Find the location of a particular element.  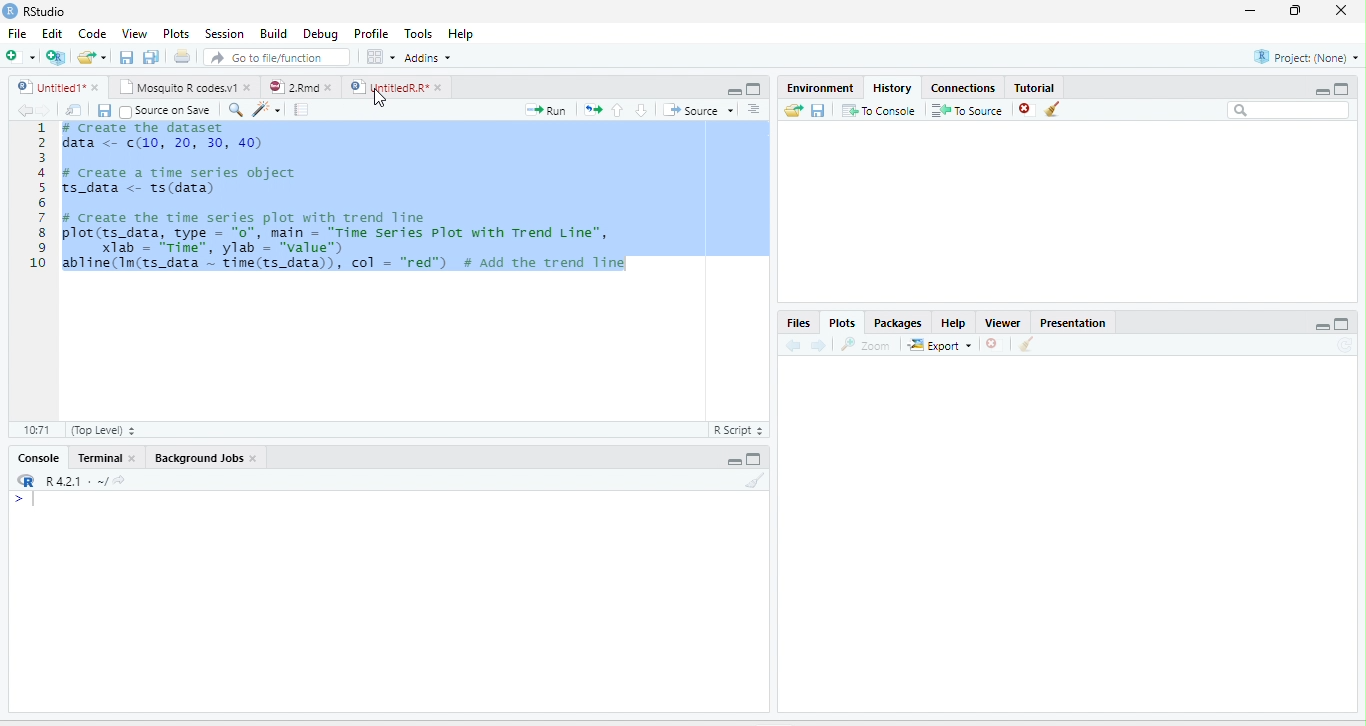

Export is located at coordinates (940, 345).